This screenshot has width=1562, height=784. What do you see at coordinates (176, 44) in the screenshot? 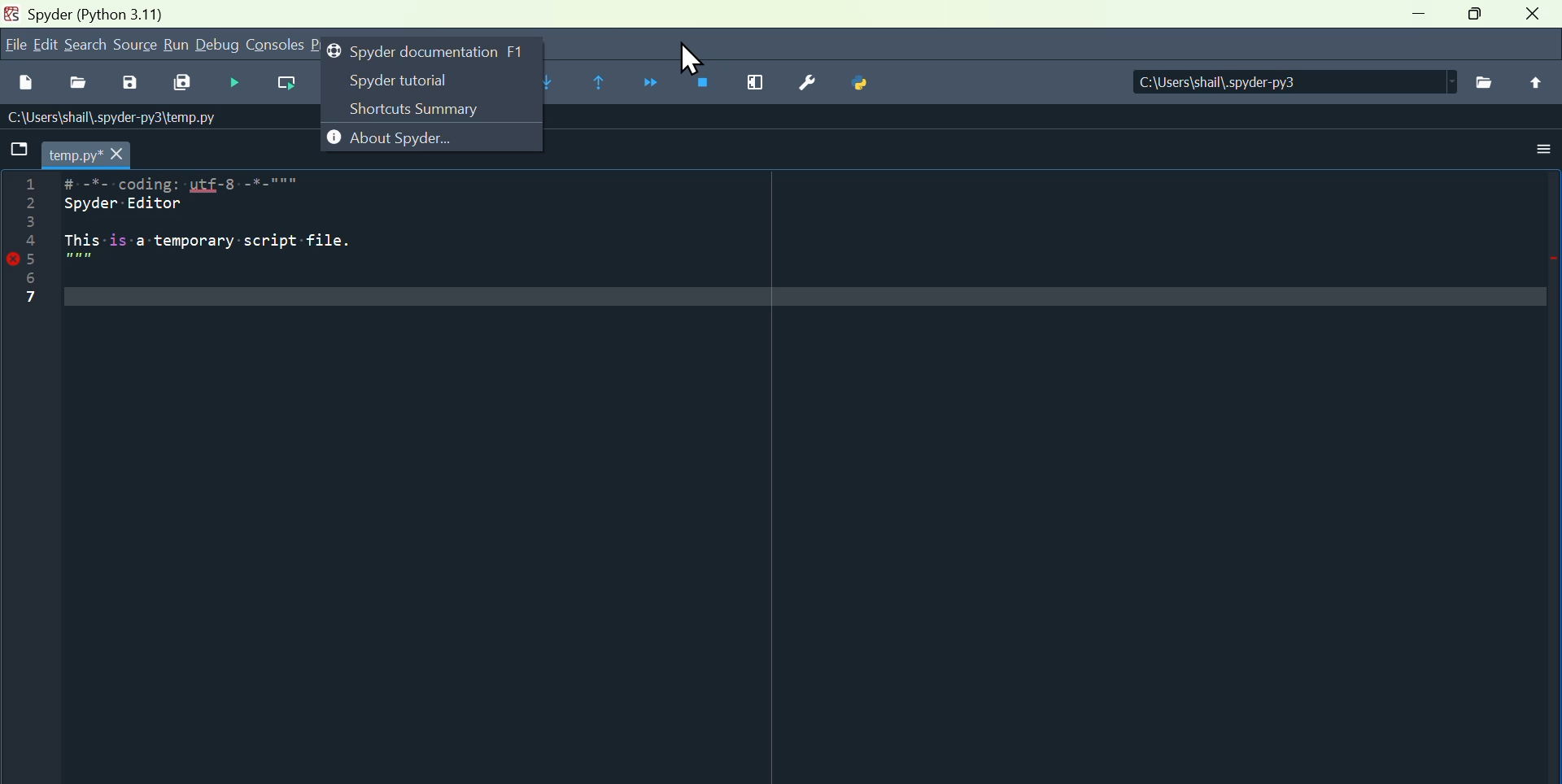
I see `Run` at bounding box center [176, 44].